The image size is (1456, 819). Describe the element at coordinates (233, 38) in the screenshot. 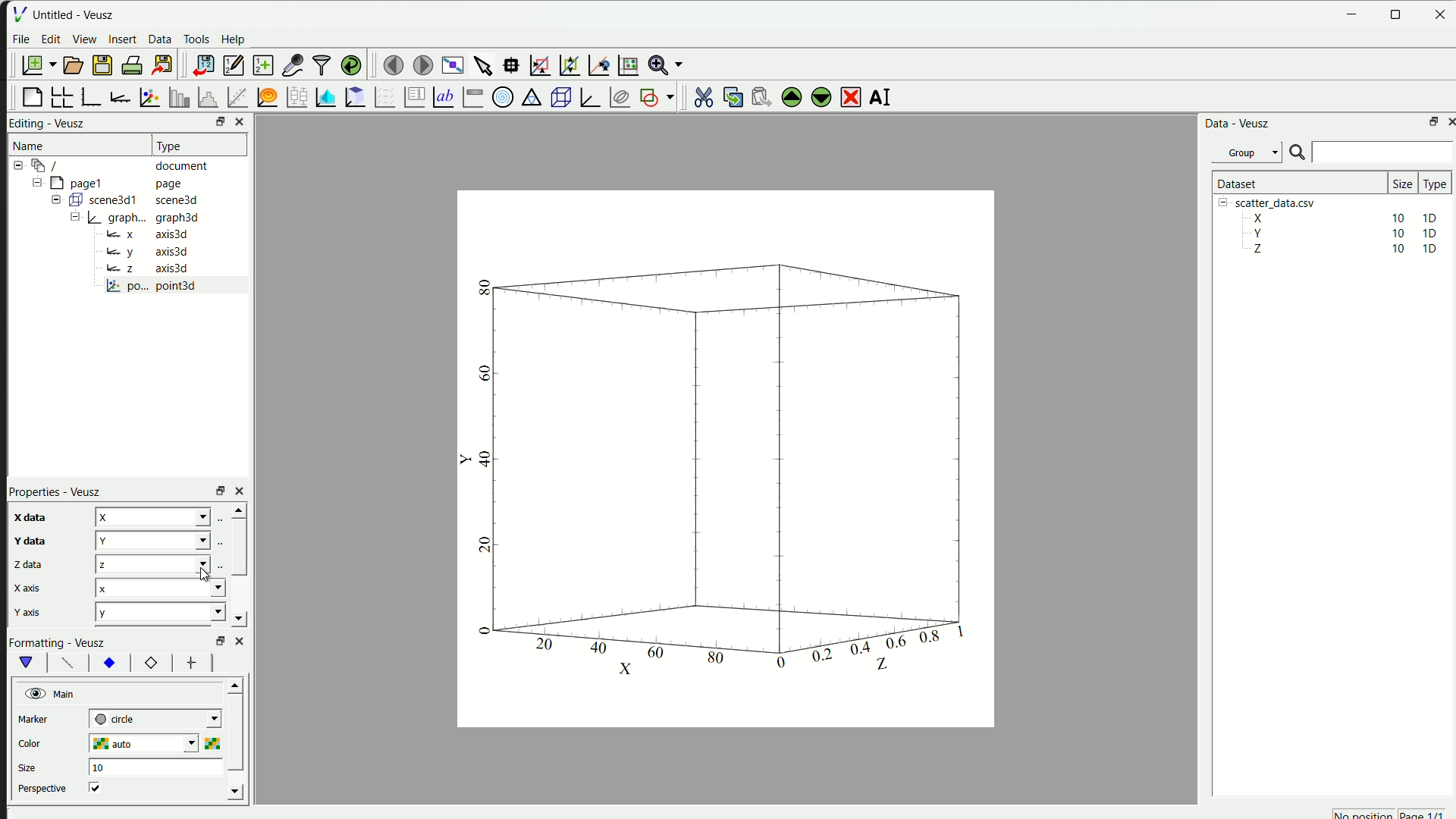

I see `Help` at that location.